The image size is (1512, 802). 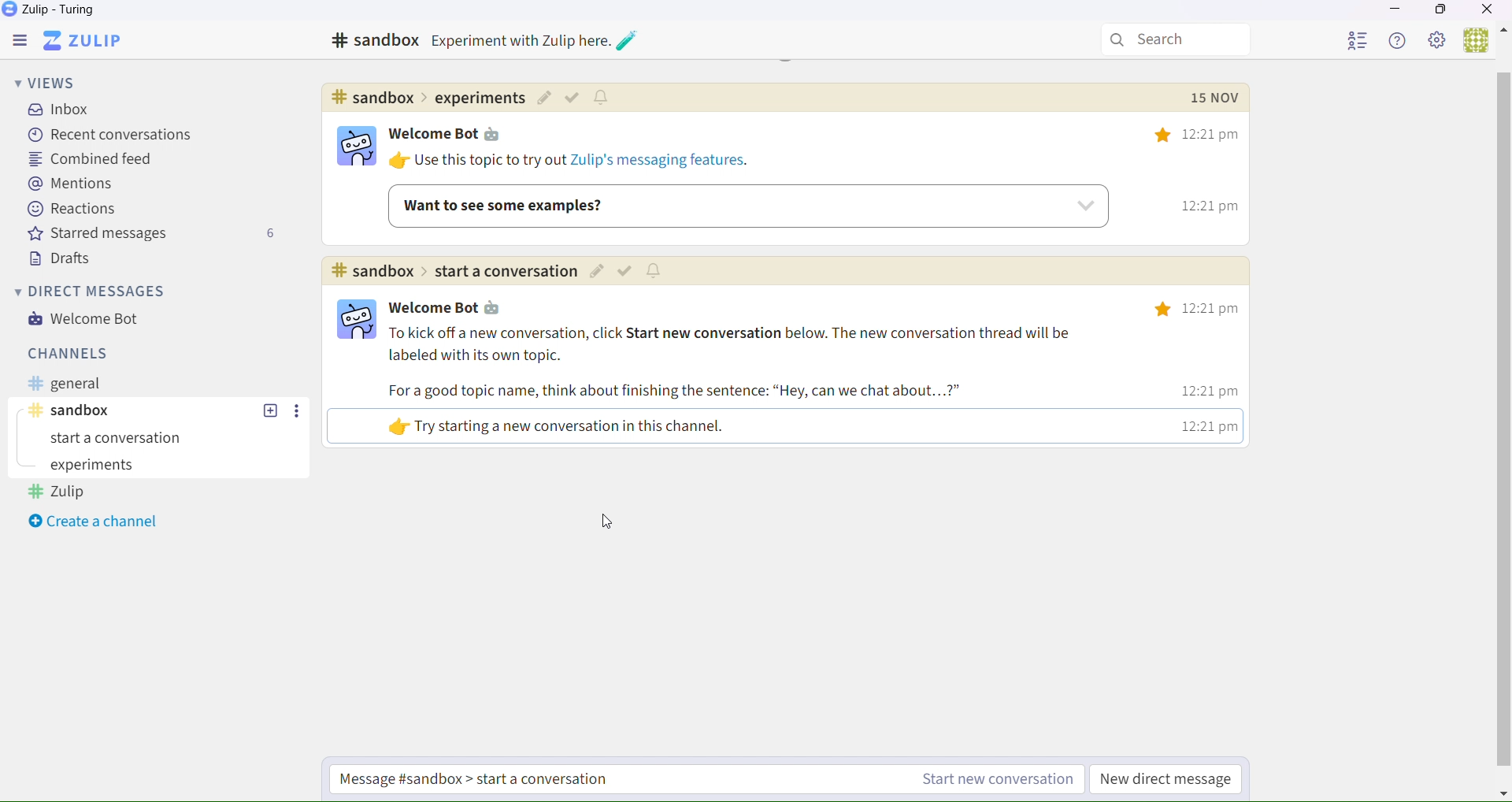 I want to click on Menu, so click(x=24, y=39).